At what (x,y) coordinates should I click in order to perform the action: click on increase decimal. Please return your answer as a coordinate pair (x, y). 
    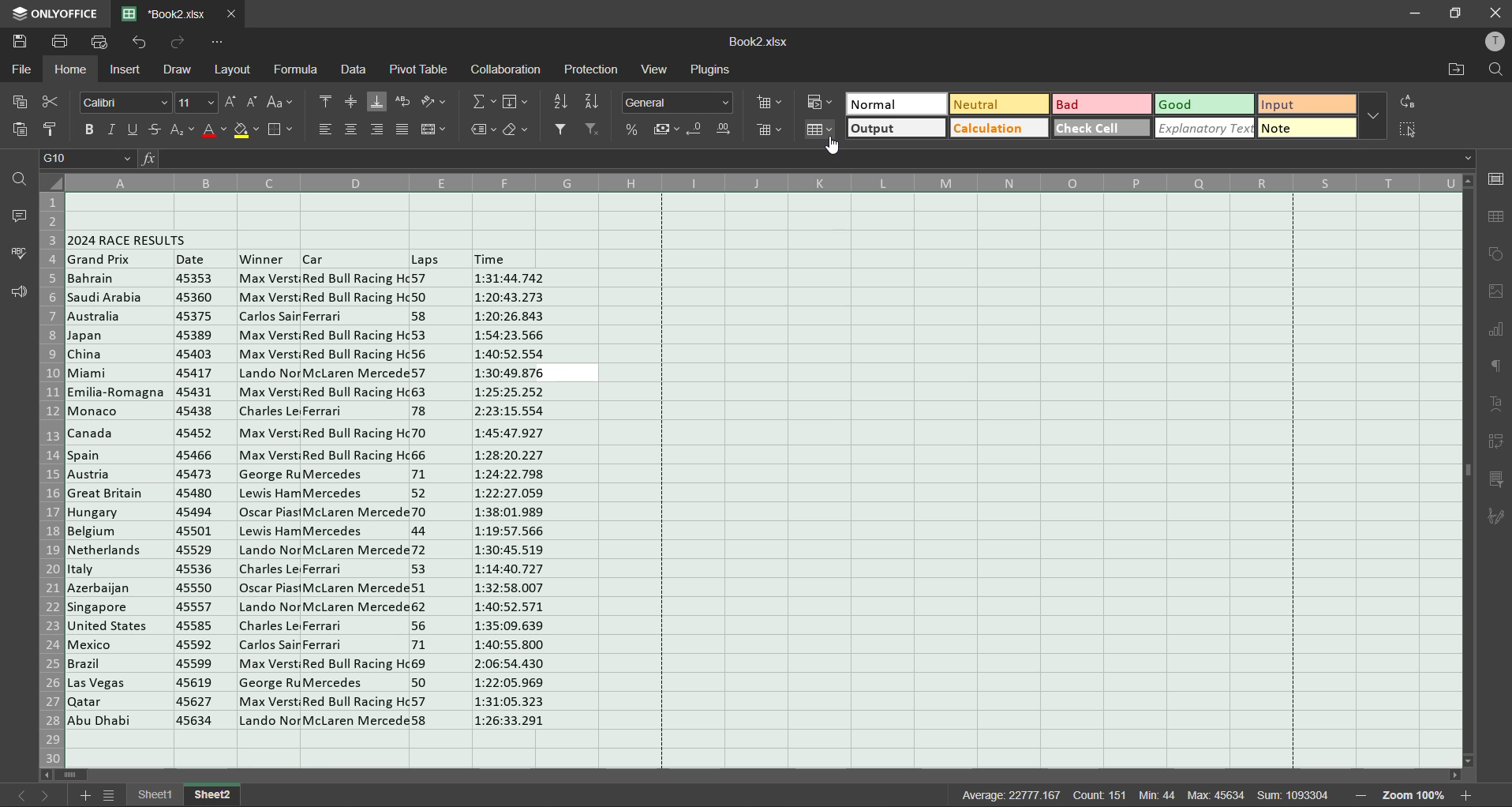
    Looking at the image, I should click on (725, 131).